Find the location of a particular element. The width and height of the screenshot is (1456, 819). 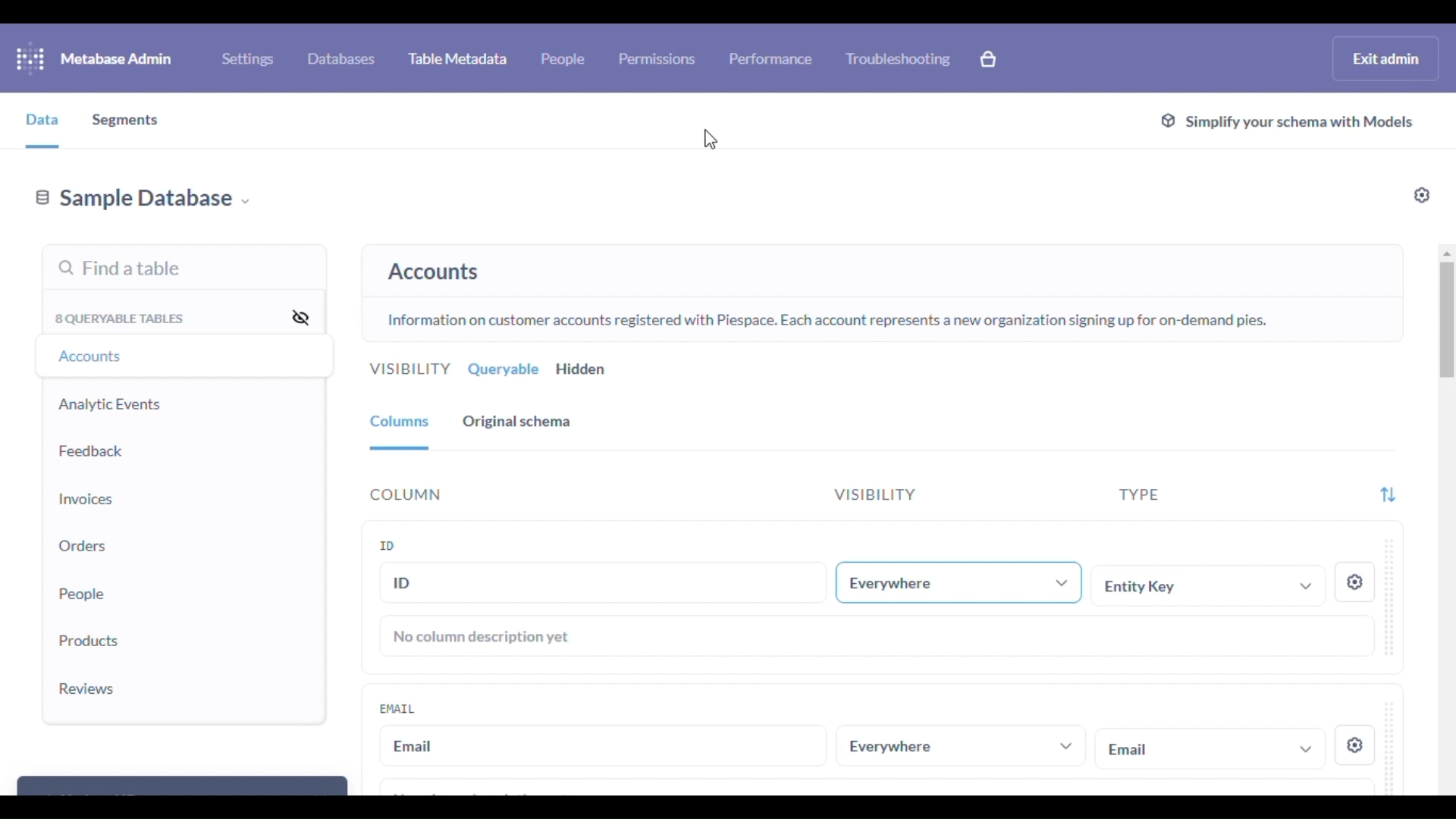

8 queryable tables is located at coordinates (122, 318).